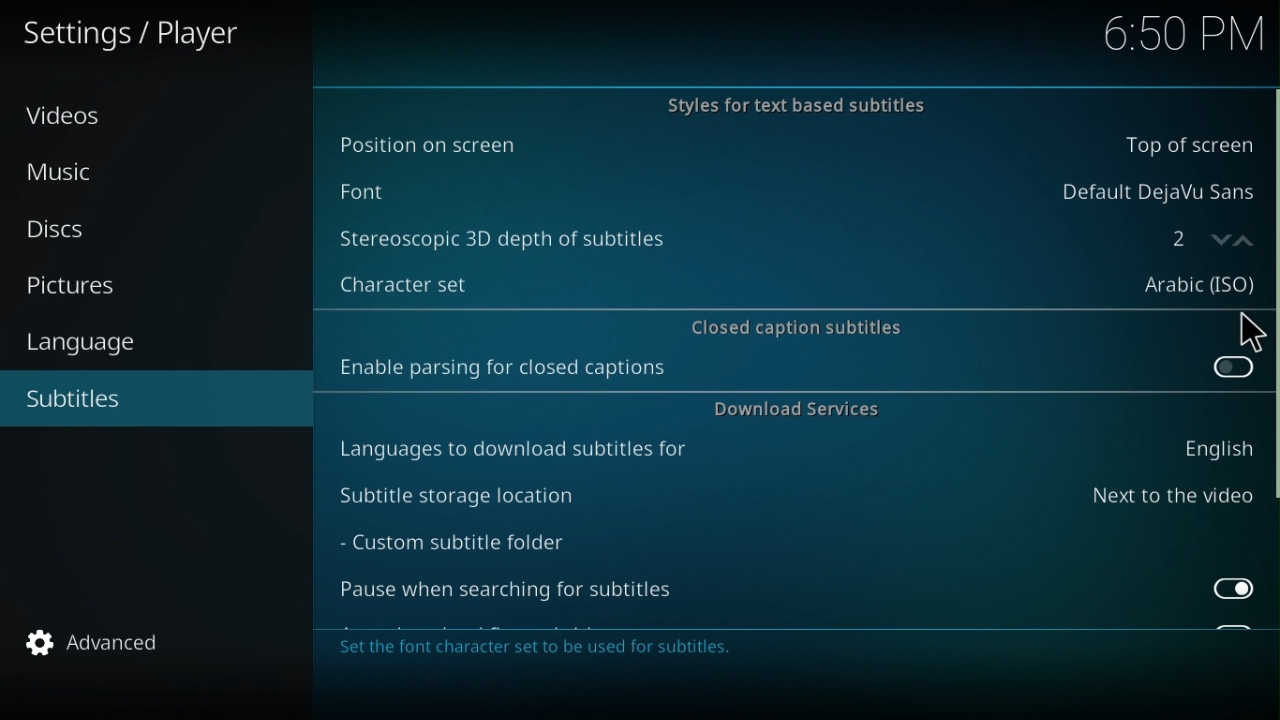  I want to click on Close Caption Subtitles, so click(793, 329).